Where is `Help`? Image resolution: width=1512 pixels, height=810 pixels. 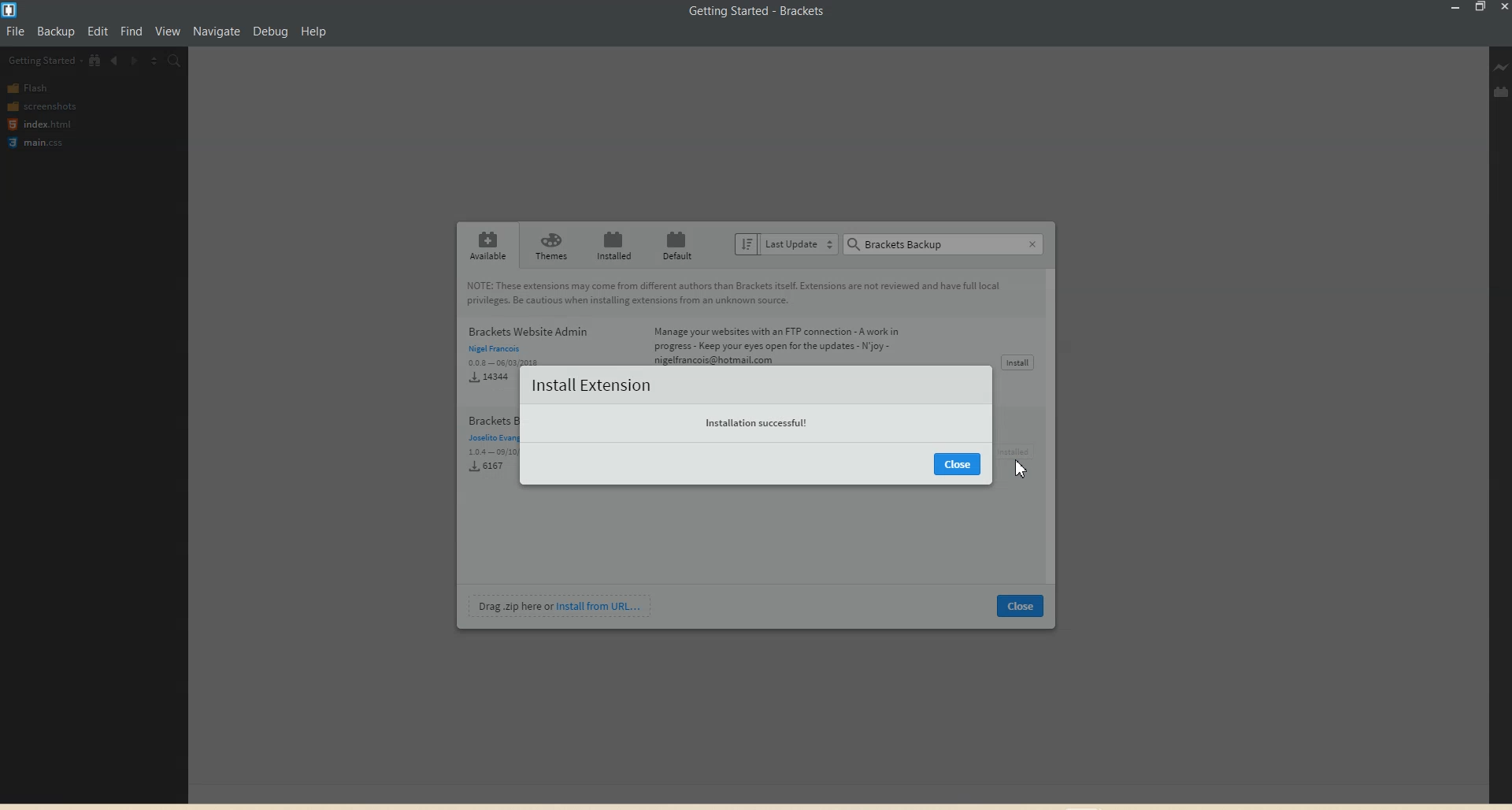
Help is located at coordinates (321, 31).